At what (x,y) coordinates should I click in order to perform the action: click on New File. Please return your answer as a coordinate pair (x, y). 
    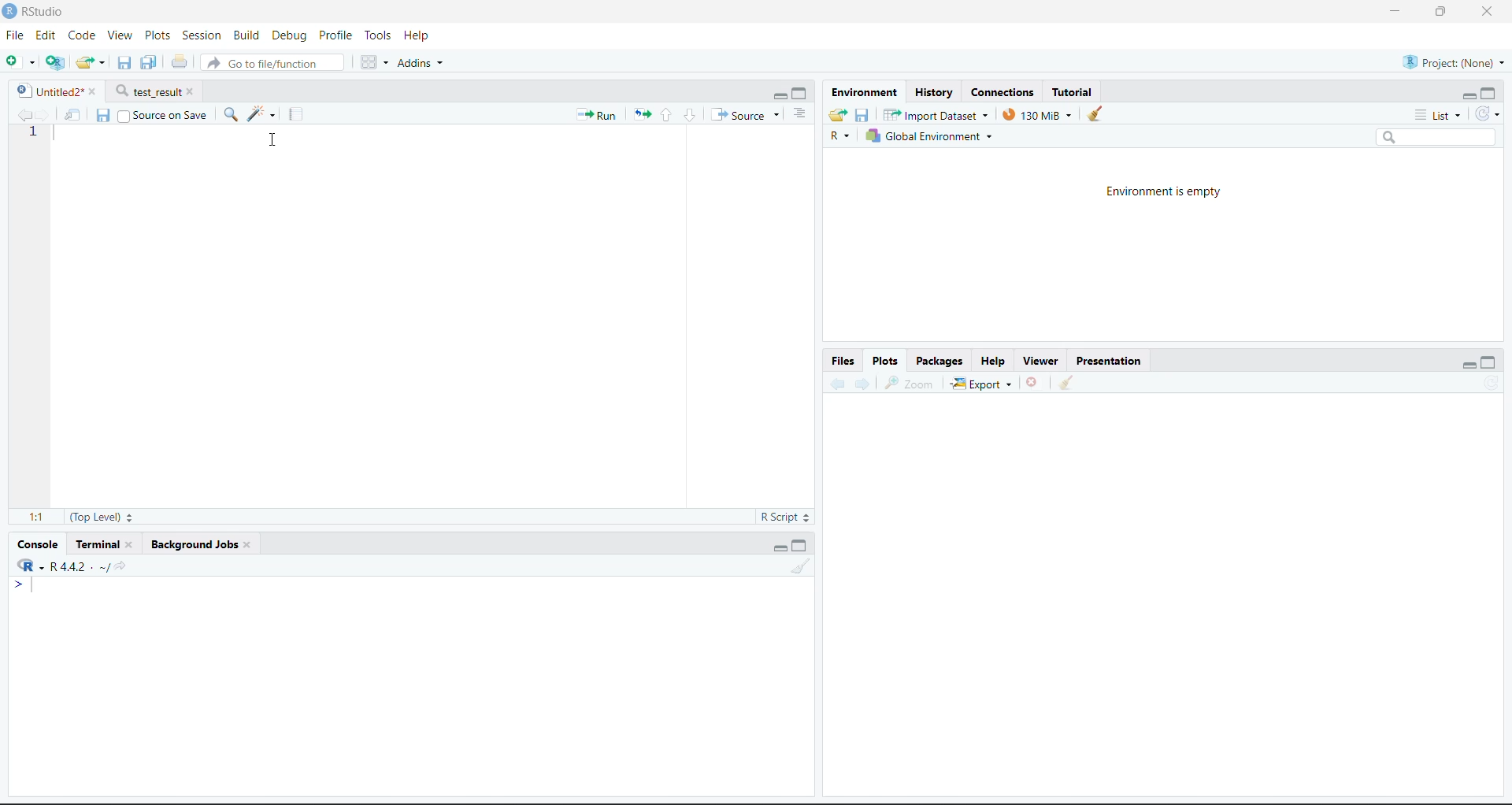
    Looking at the image, I should click on (21, 61).